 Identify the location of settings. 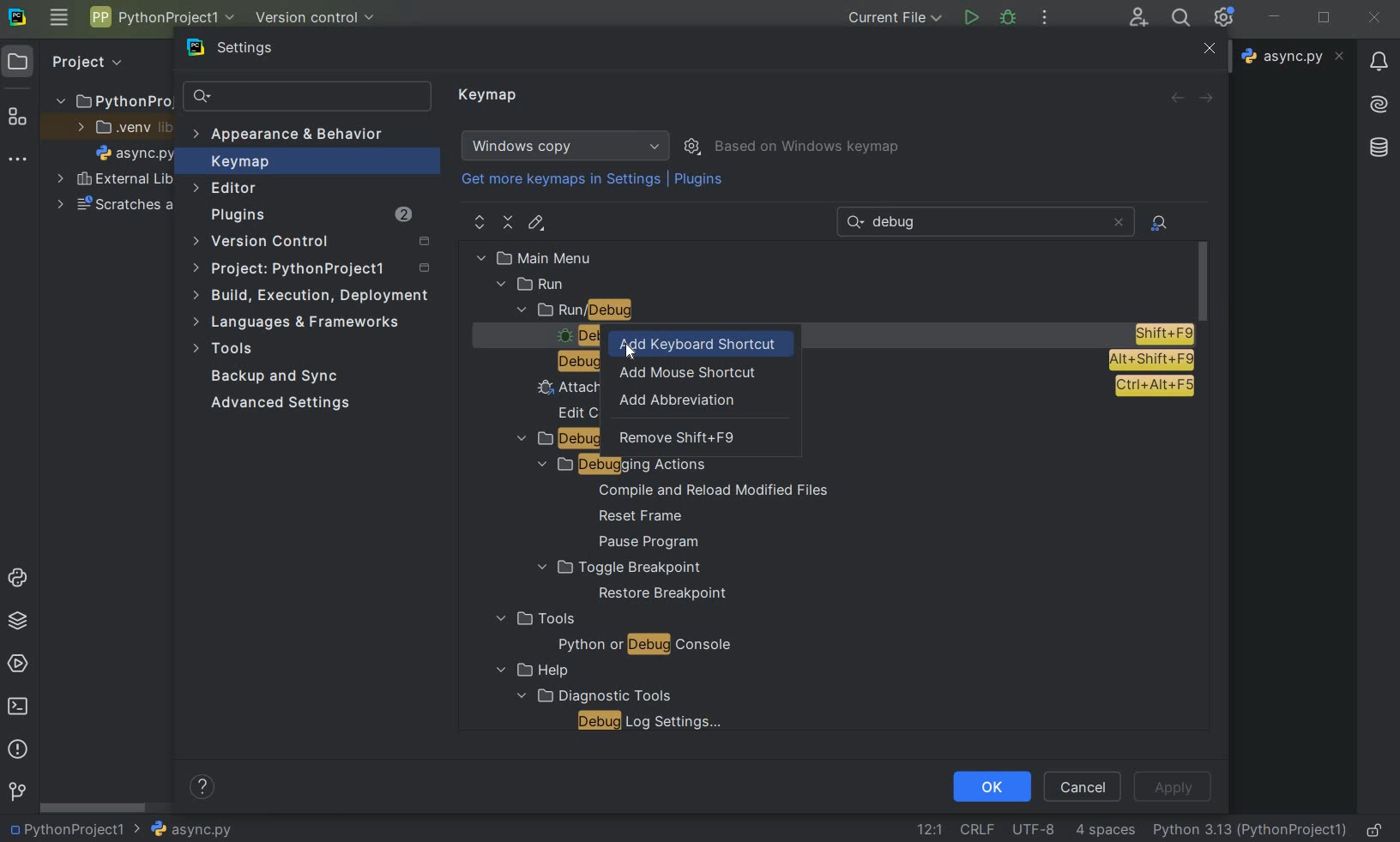
(241, 51).